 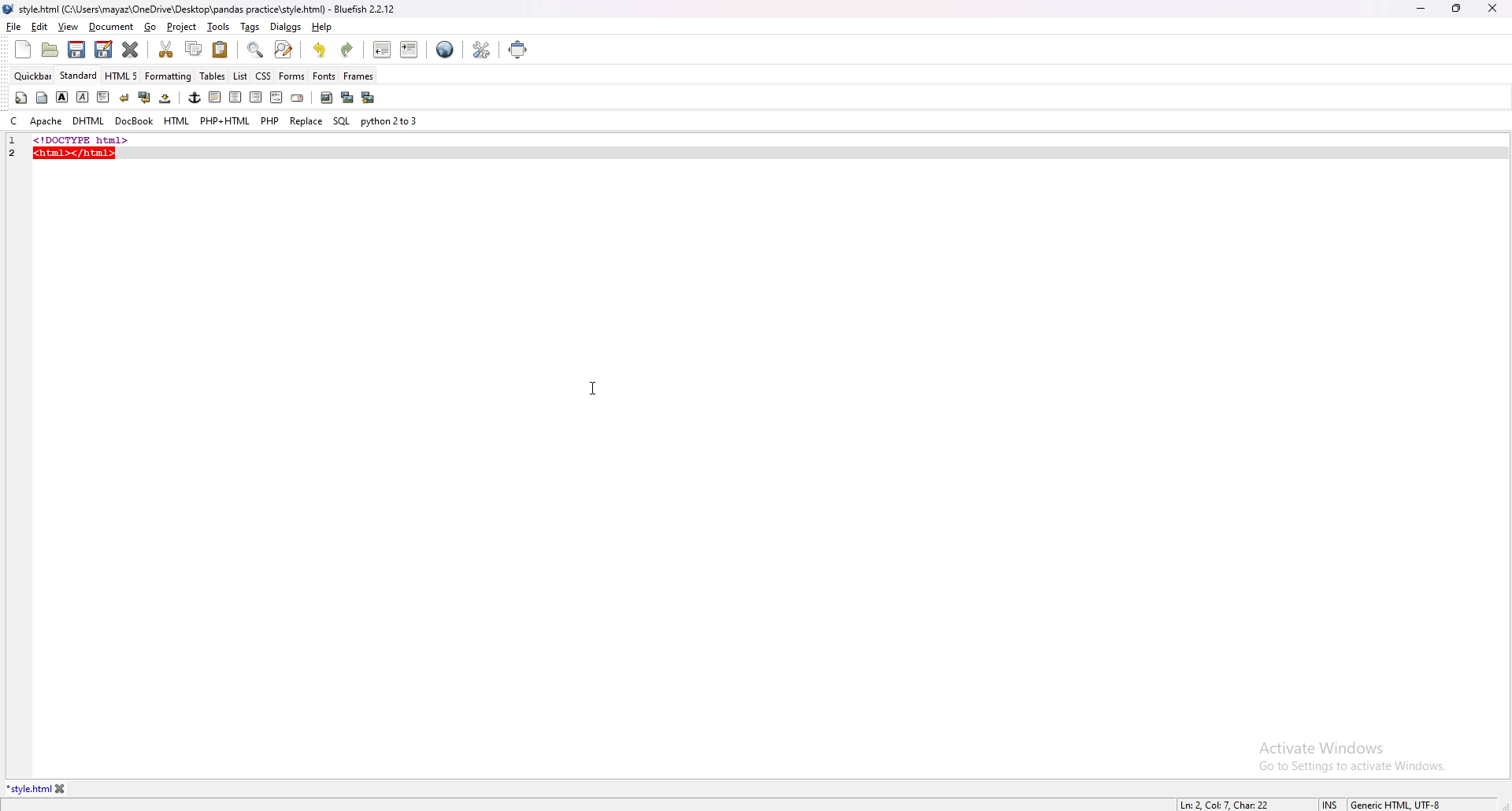 What do you see at coordinates (20, 98) in the screenshot?
I see `quickstart` at bounding box center [20, 98].